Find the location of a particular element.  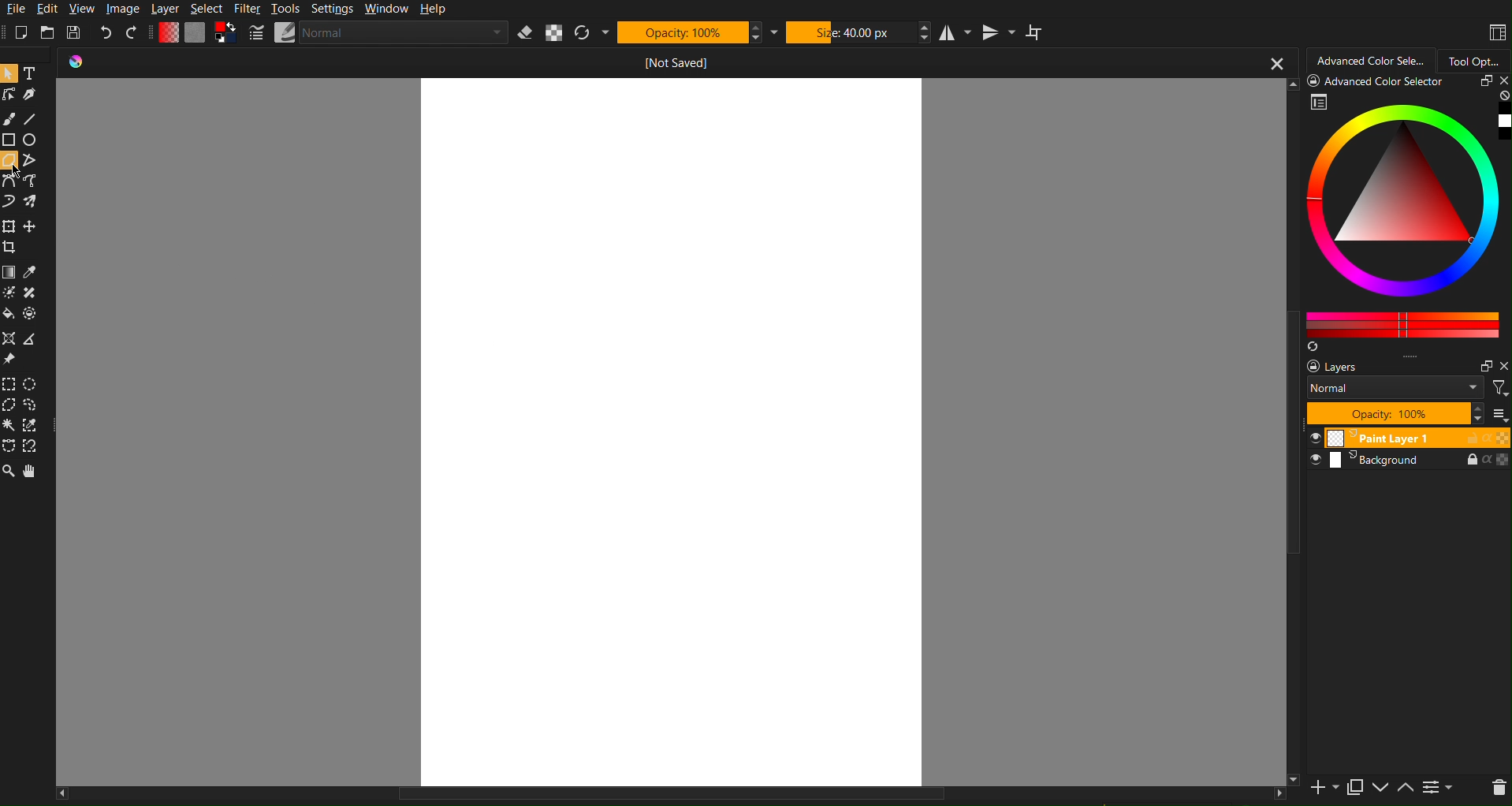

opacity: 100% is located at coordinates (1394, 412).